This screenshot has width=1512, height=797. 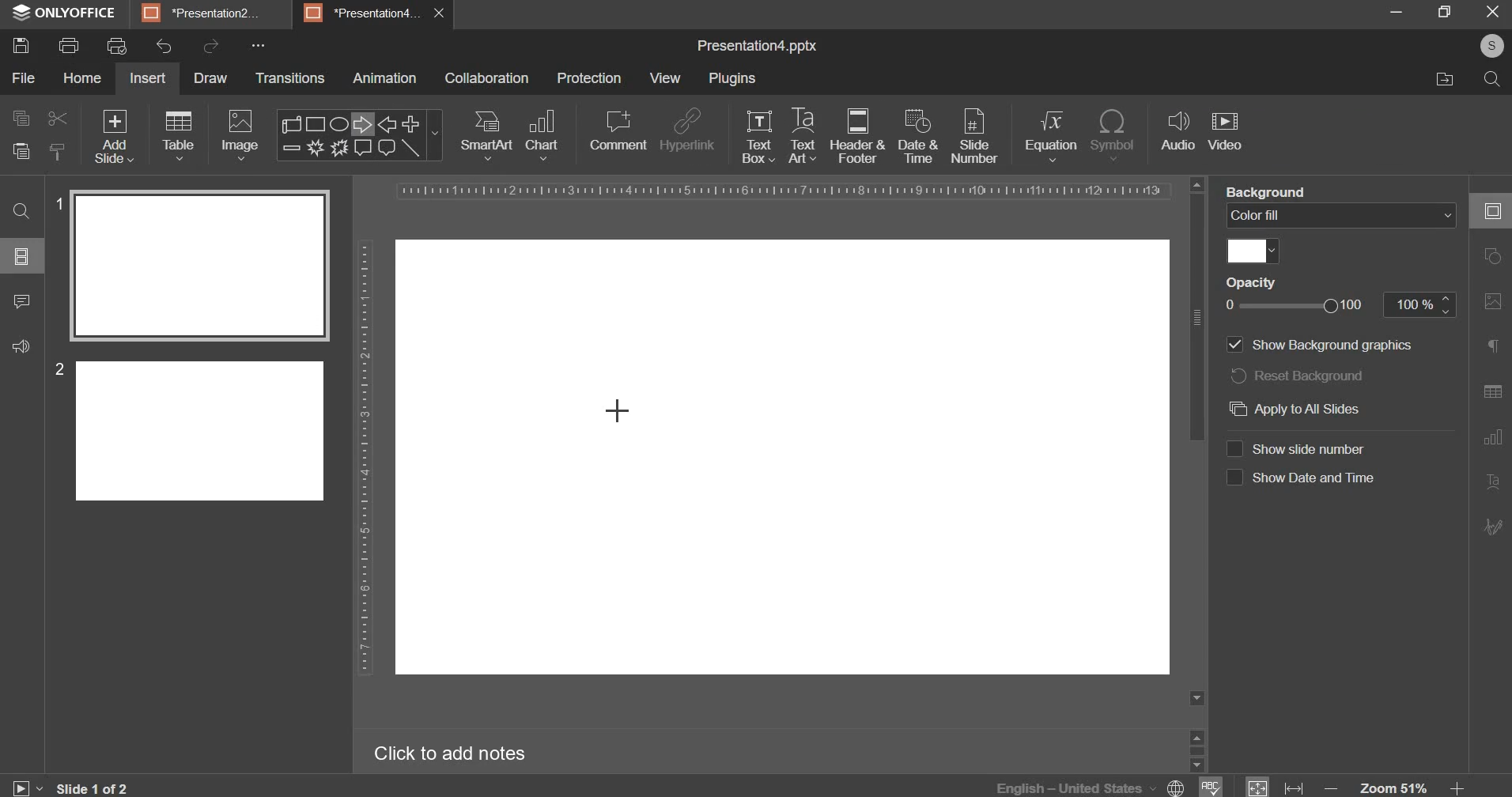 What do you see at coordinates (589, 79) in the screenshot?
I see `protection` at bounding box center [589, 79].